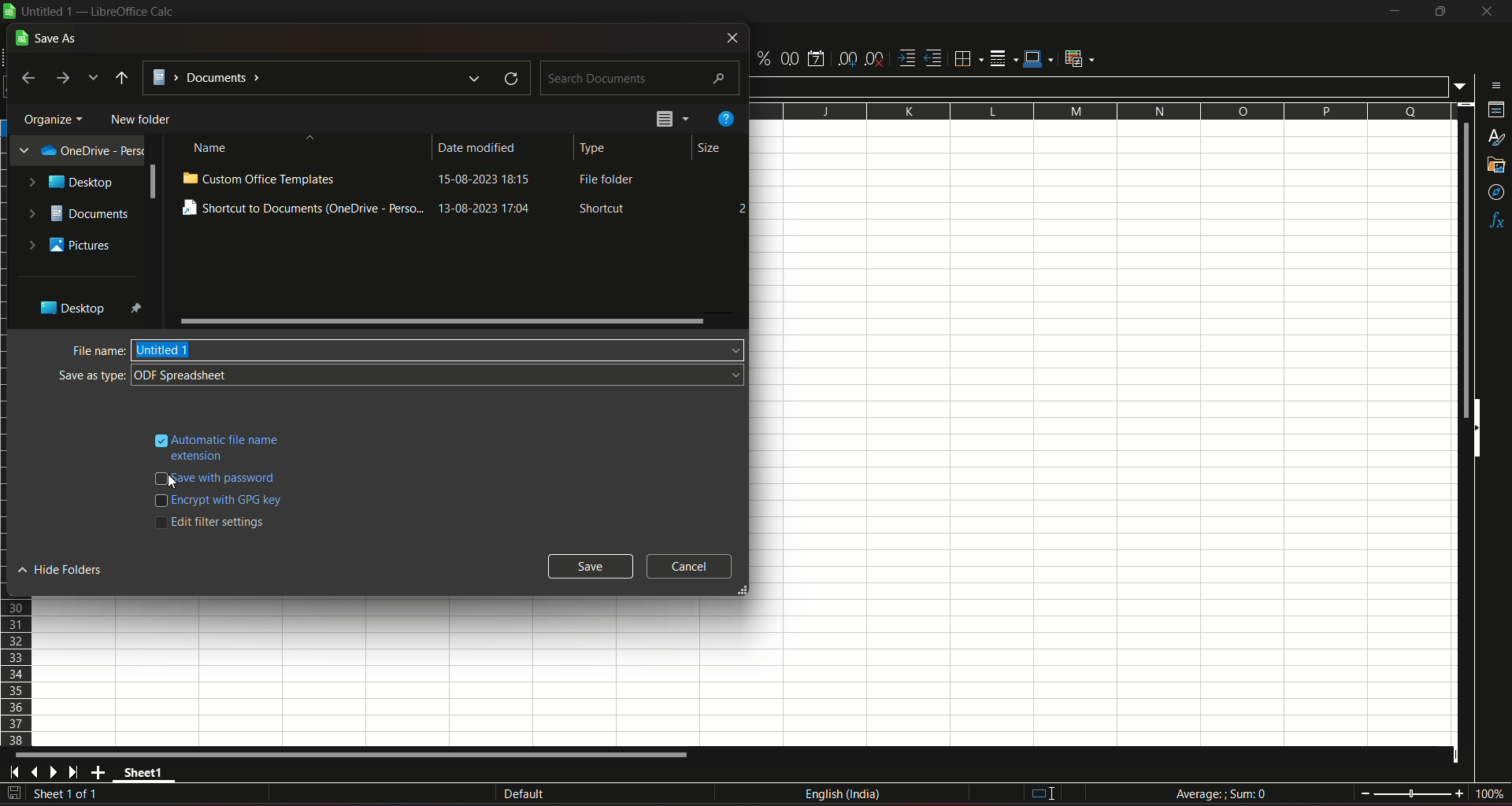 The width and height of the screenshot is (1512, 806). Describe the element at coordinates (18, 674) in the screenshot. I see `rows` at that location.